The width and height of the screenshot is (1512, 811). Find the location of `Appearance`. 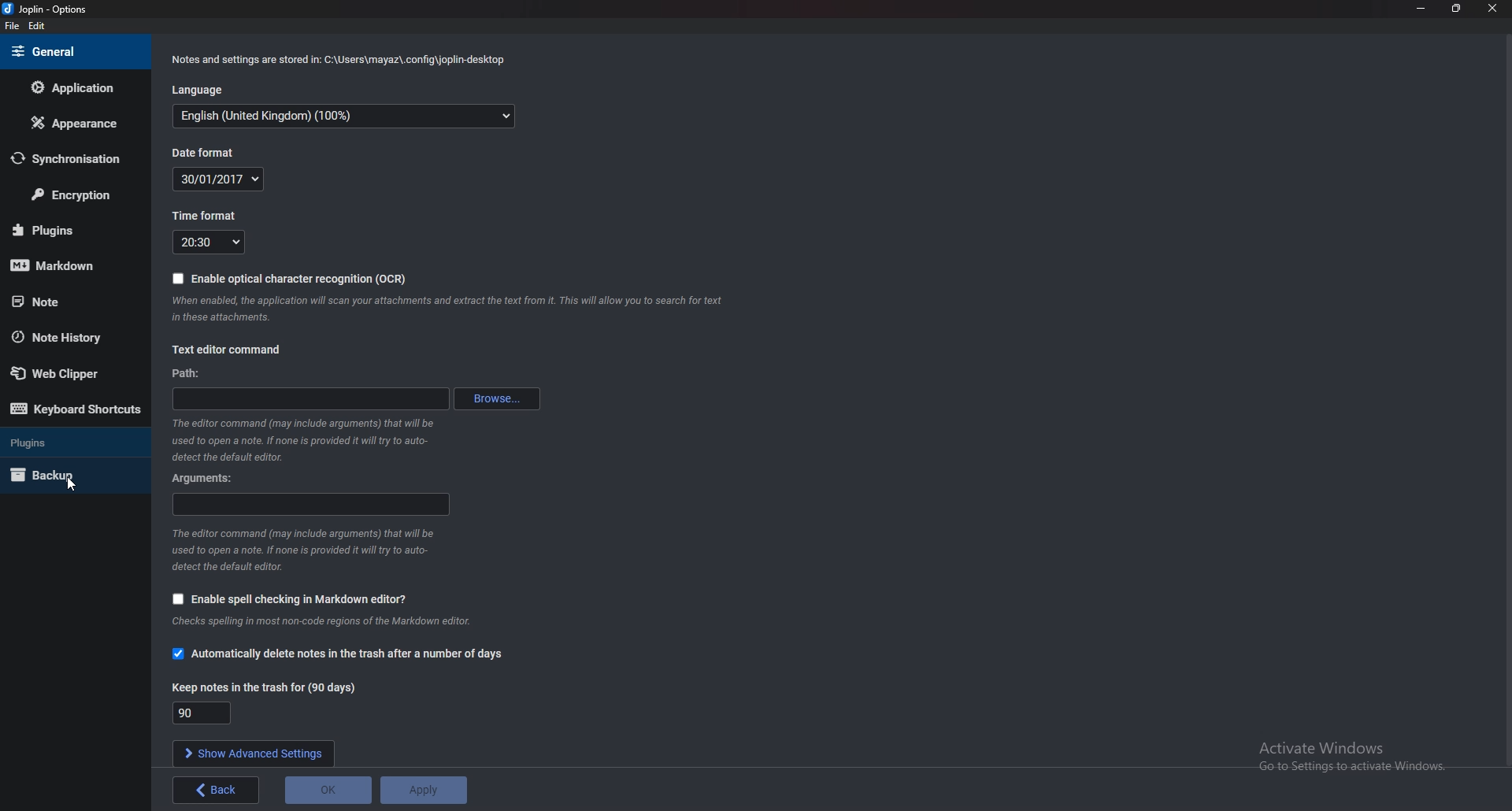

Appearance is located at coordinates (79, 121).